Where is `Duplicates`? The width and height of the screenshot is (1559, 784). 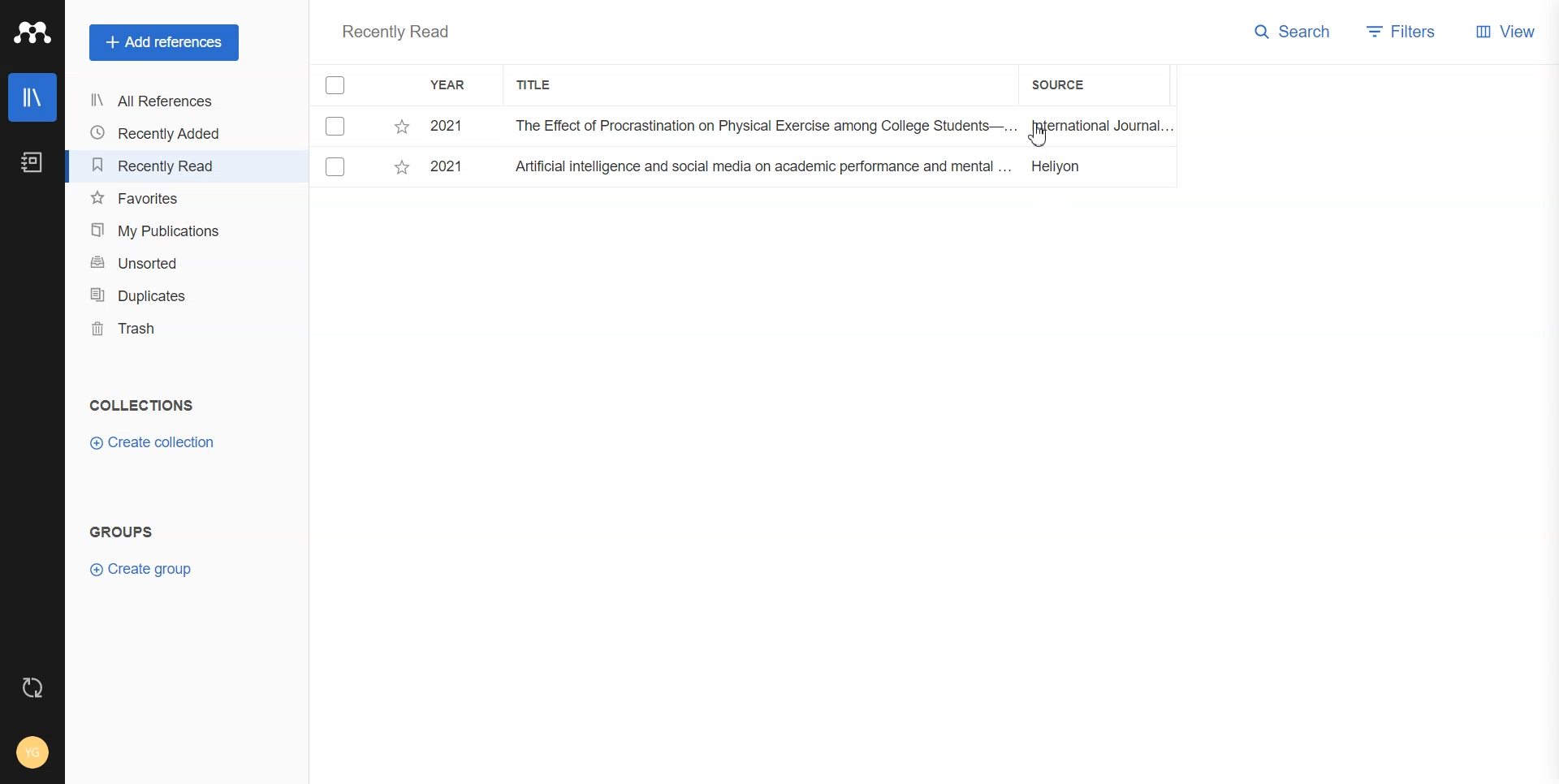
Duplicates is located at coordinates (159, 295).